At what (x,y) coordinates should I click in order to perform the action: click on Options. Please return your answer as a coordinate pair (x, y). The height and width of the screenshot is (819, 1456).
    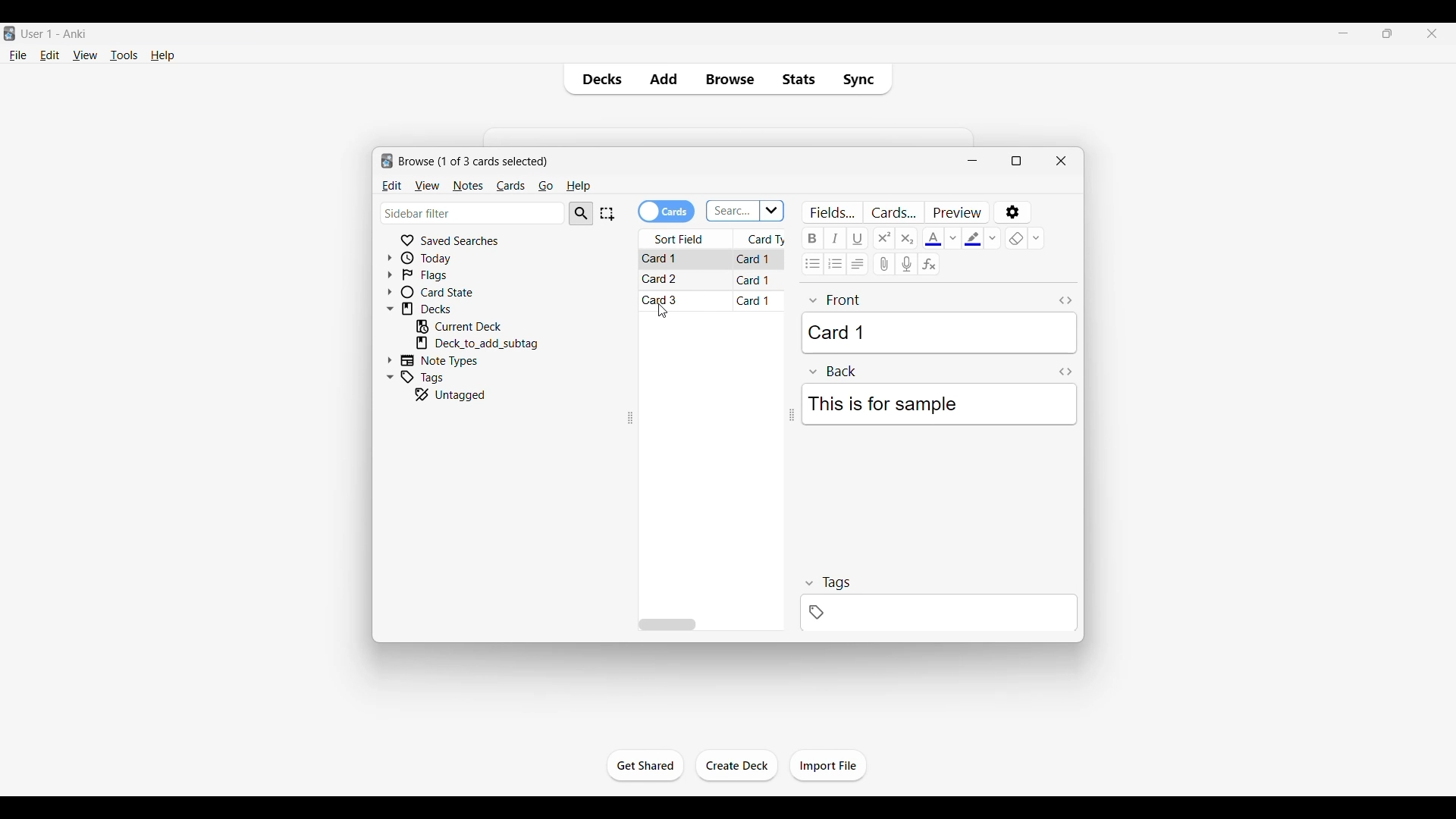
    Looking at the image, I should click on (1014, 212).